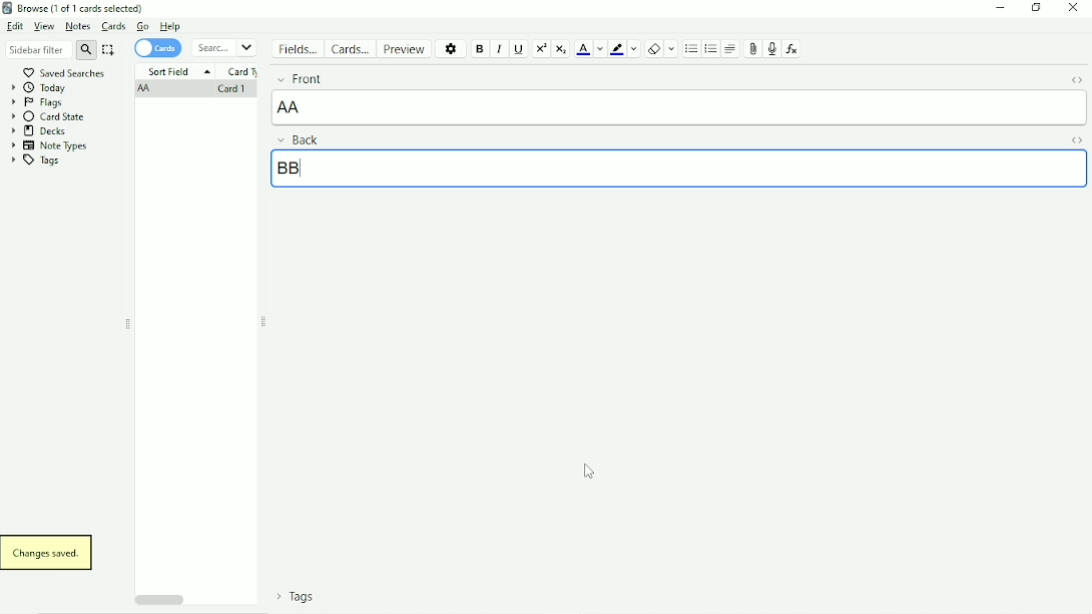  What do you see at coordinates (634, 48) in the screenshot?
I see `Change color` at bounding box center [634, 48].